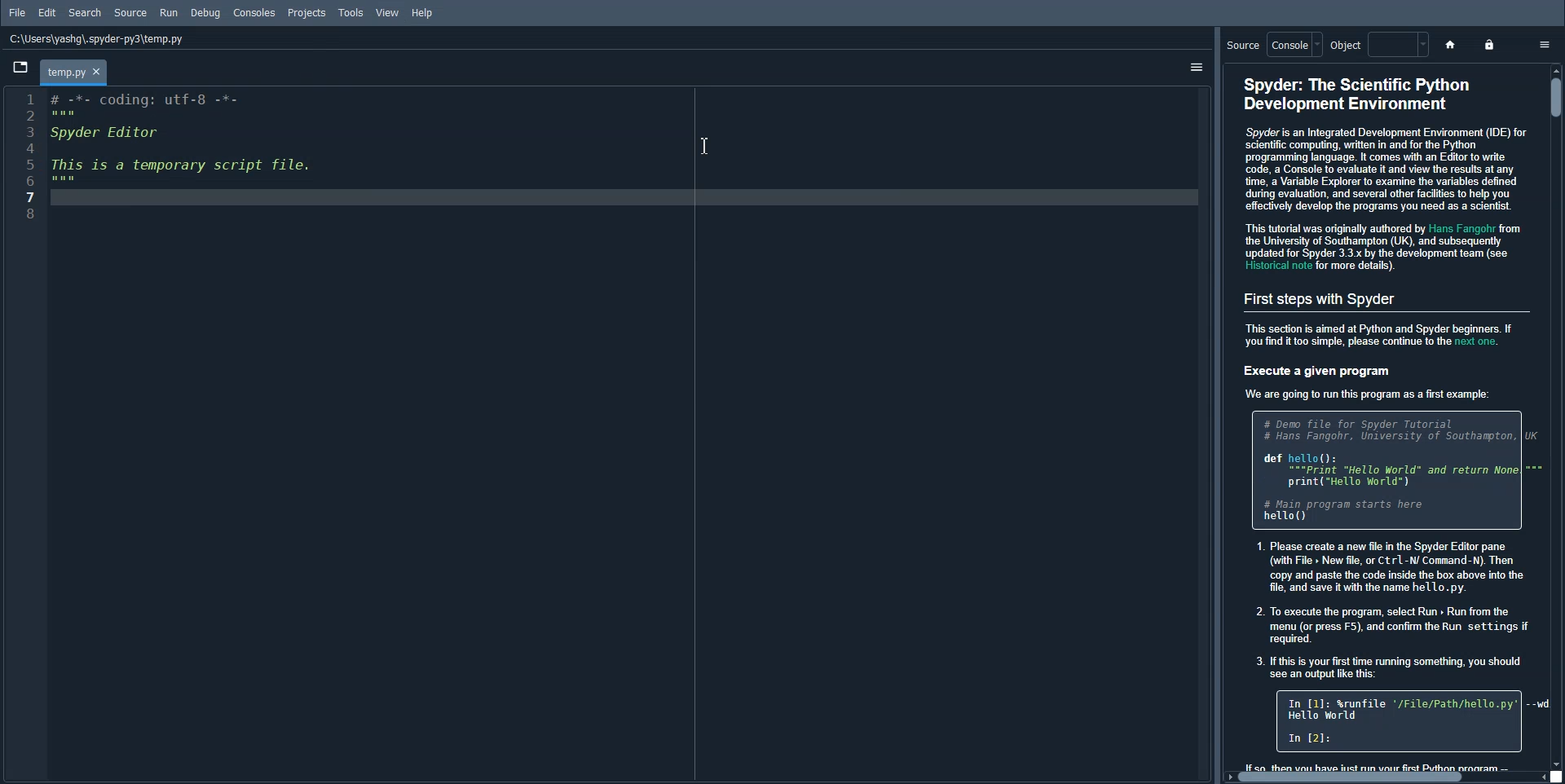 The width and height of the screenshot is (1565, 784). Describe the element at coordinates (388, 12) in the screenshot. I see `View` at that location.